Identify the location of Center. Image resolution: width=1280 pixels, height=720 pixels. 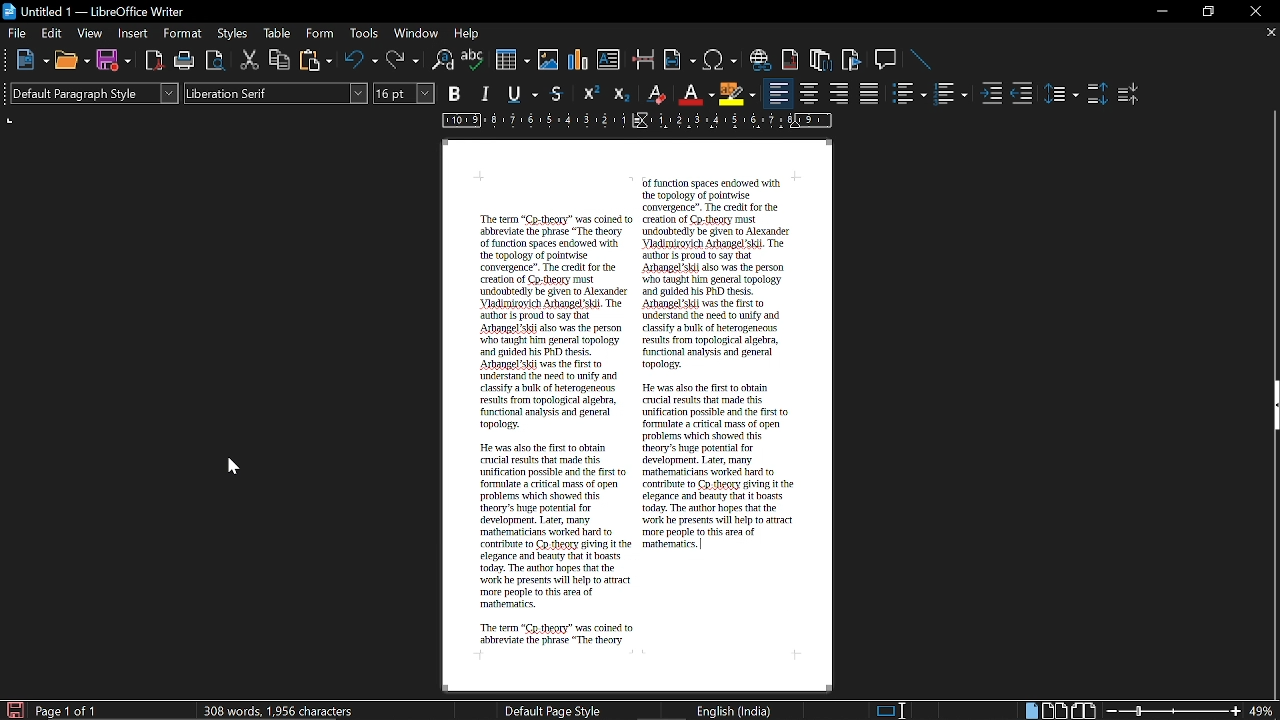
(810, 94).